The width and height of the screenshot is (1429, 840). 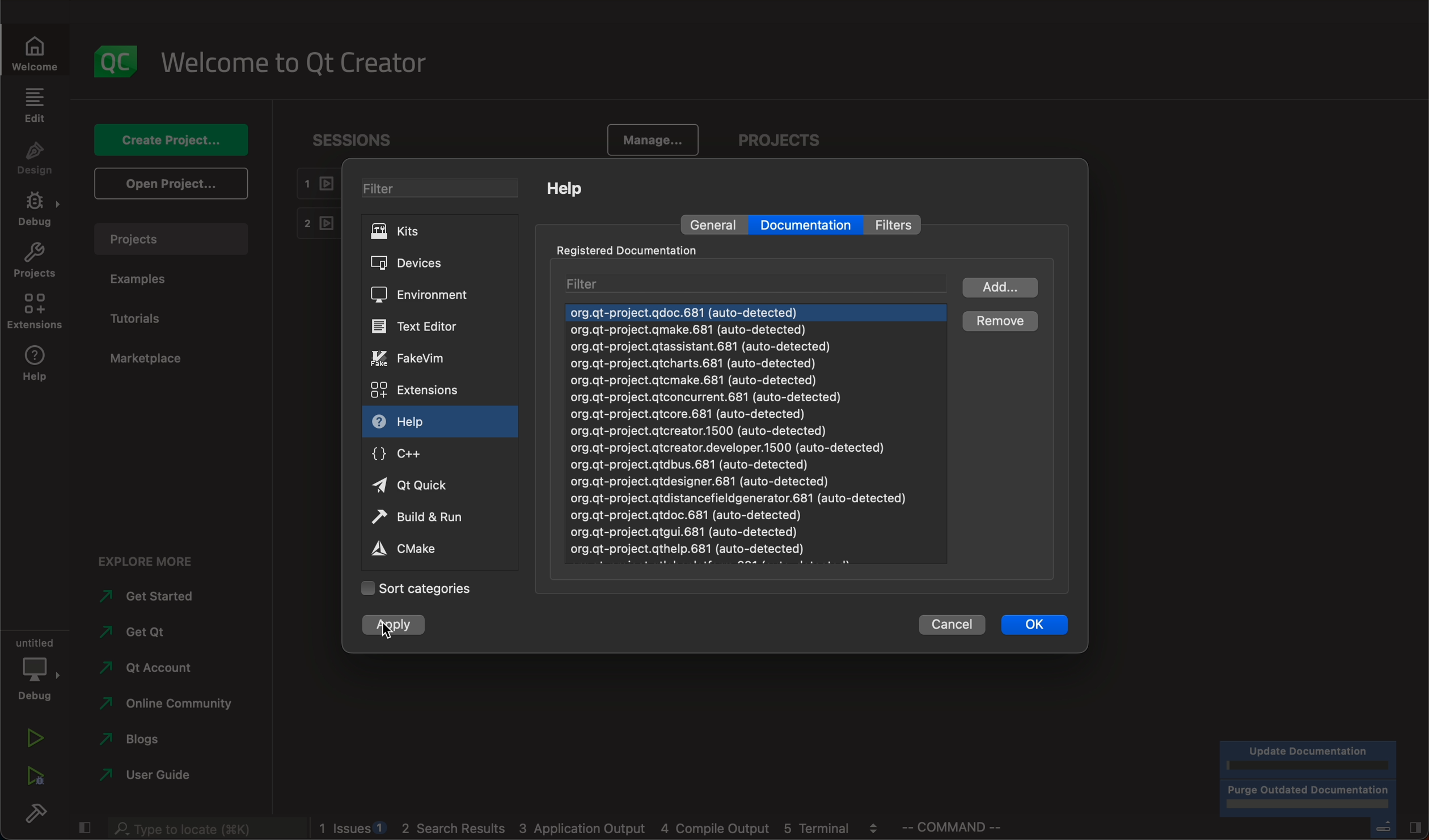 What do you see at coordinates (423, 486) in the screenshot?
I see `qt` at bounding box center [423, 486].